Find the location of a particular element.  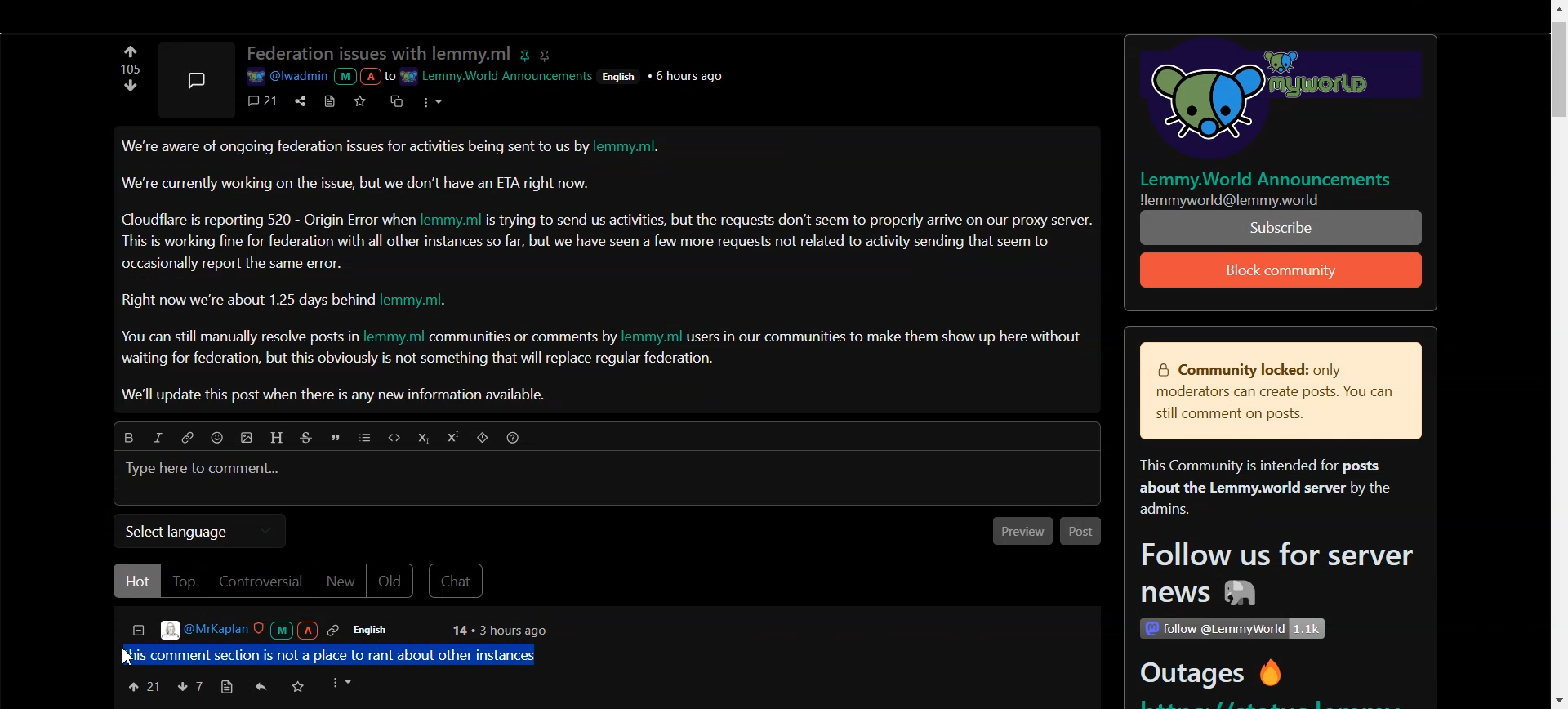

save is located at coordinates (300, 689).